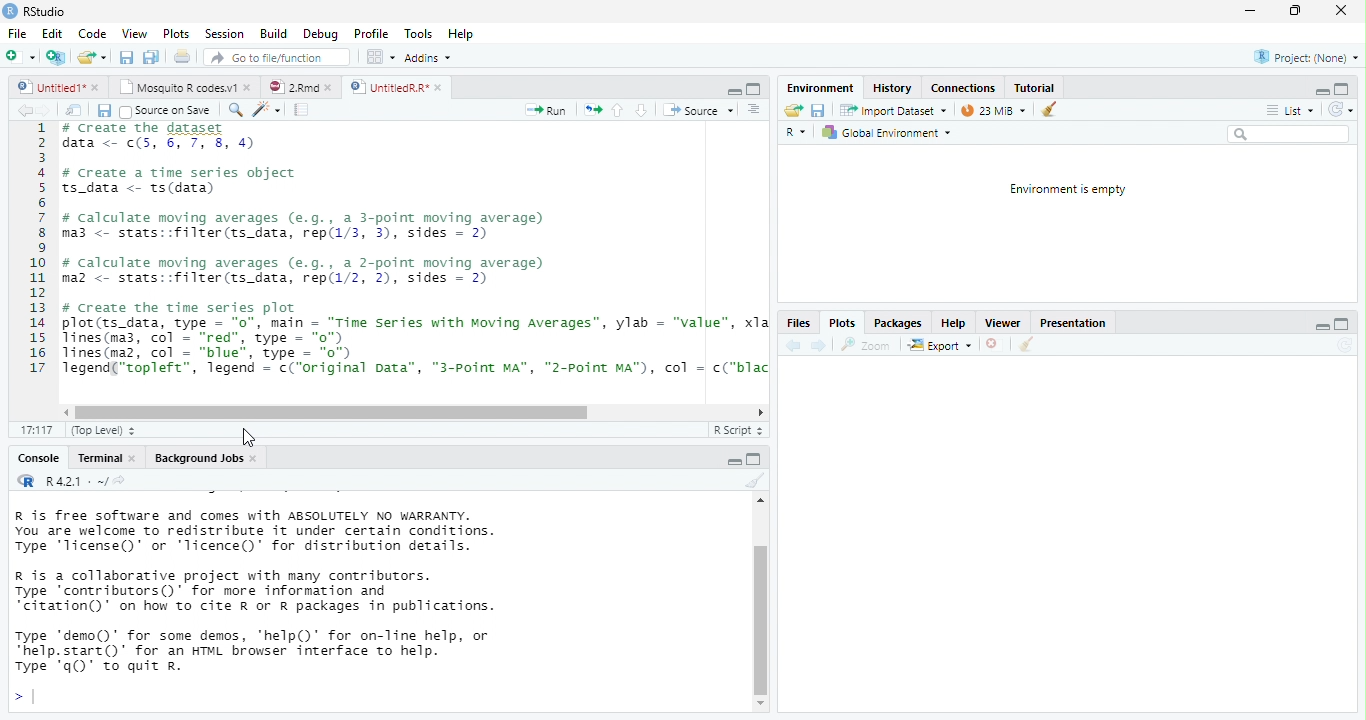 The height and width of the screenshot is (720, 1366). Describe the element at coordinates (183, 56) in the screenshot. I see `print current file` at that location.